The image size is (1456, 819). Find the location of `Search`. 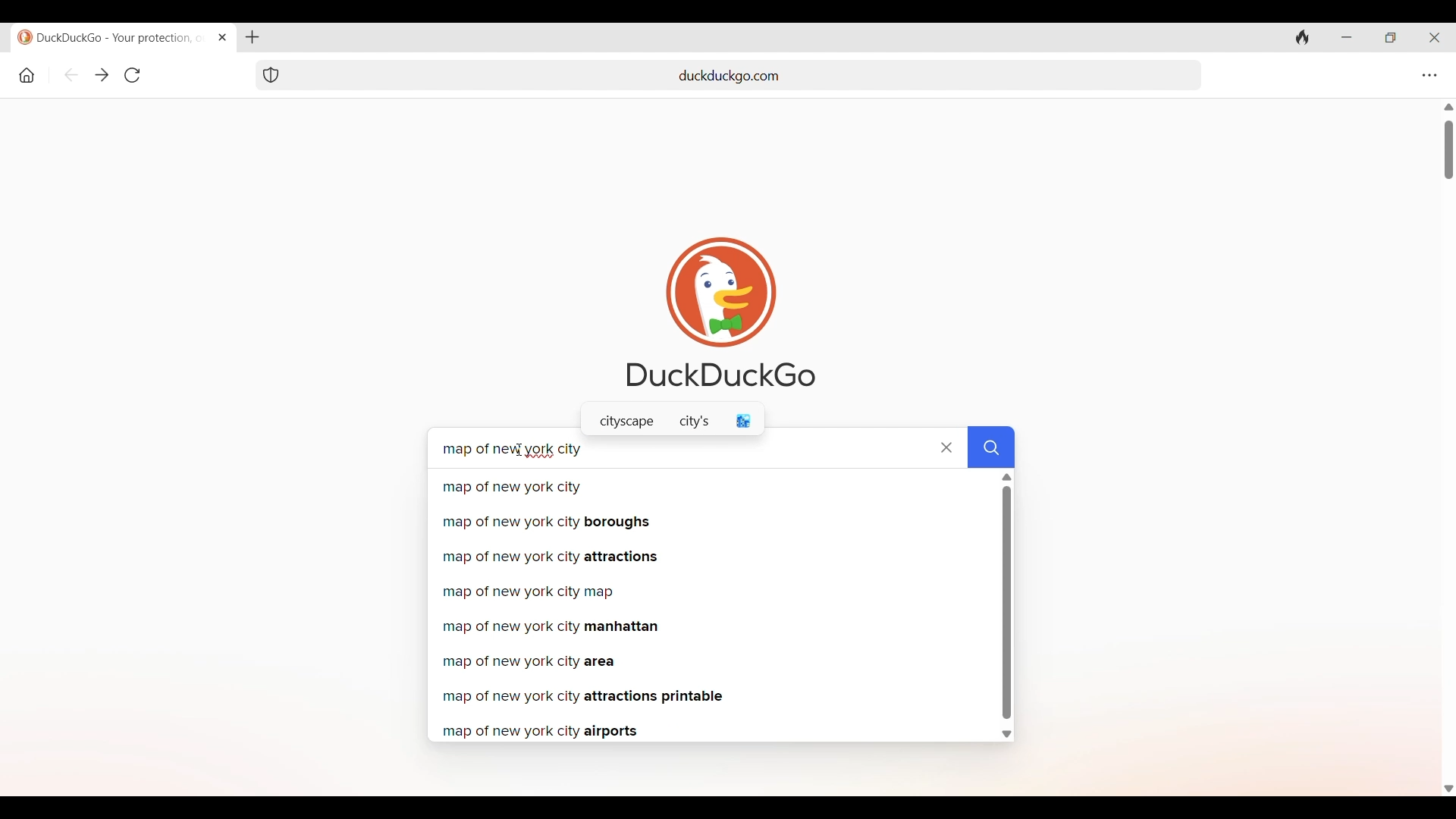

Search is located at coordinates (991, 447).